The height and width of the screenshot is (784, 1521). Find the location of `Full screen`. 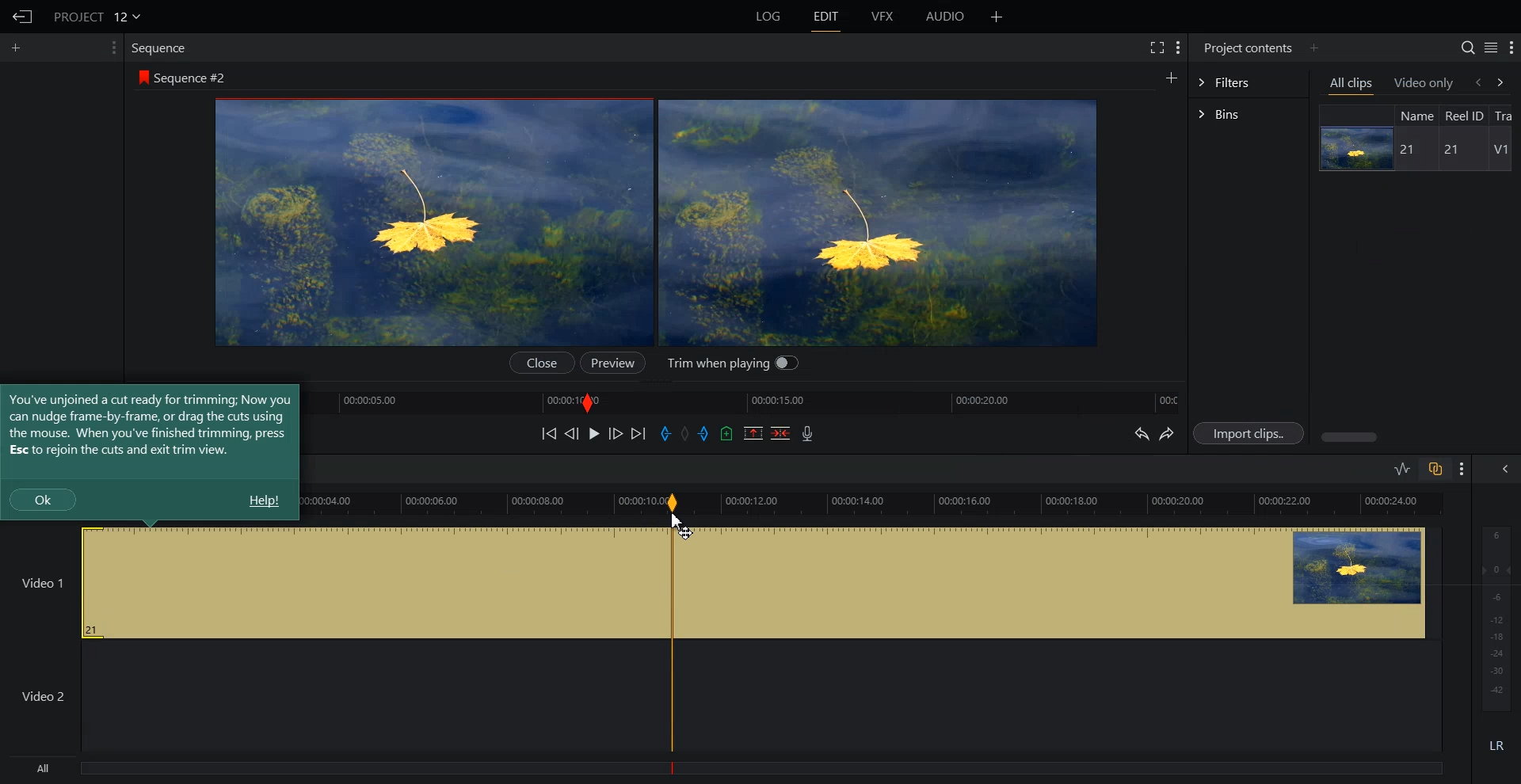

Full screen is located at coordinates (1156, 47).